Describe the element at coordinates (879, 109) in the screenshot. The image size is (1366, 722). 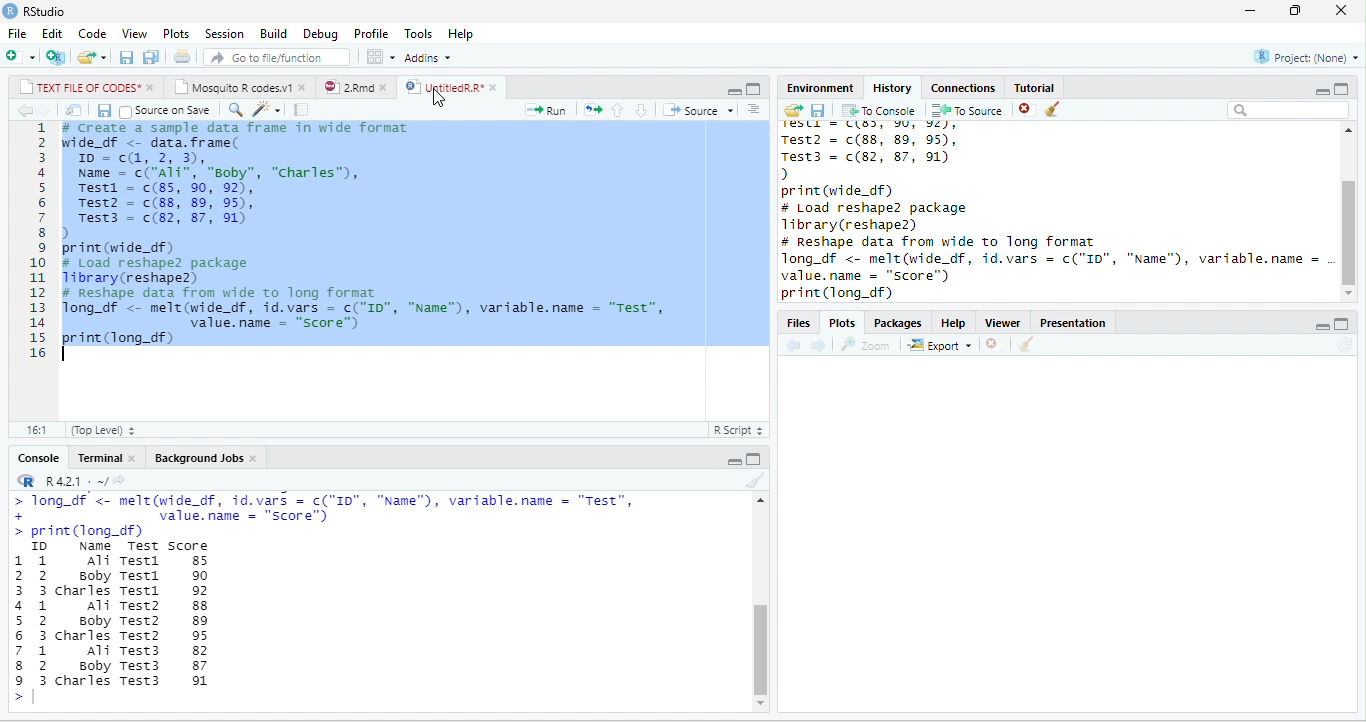
I see `To Console` at that location.